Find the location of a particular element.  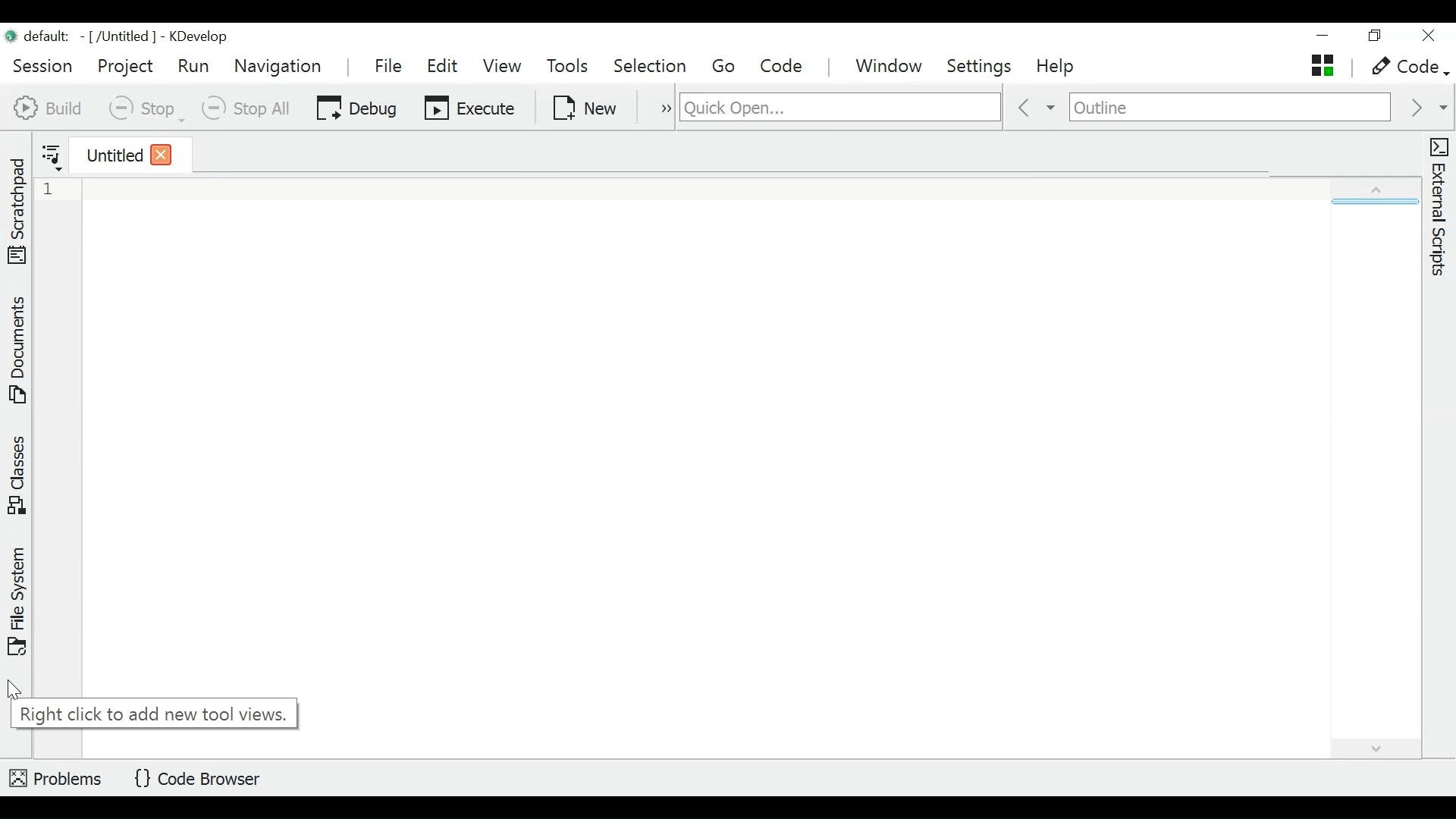

Edit is located at coordinates (442, 65).